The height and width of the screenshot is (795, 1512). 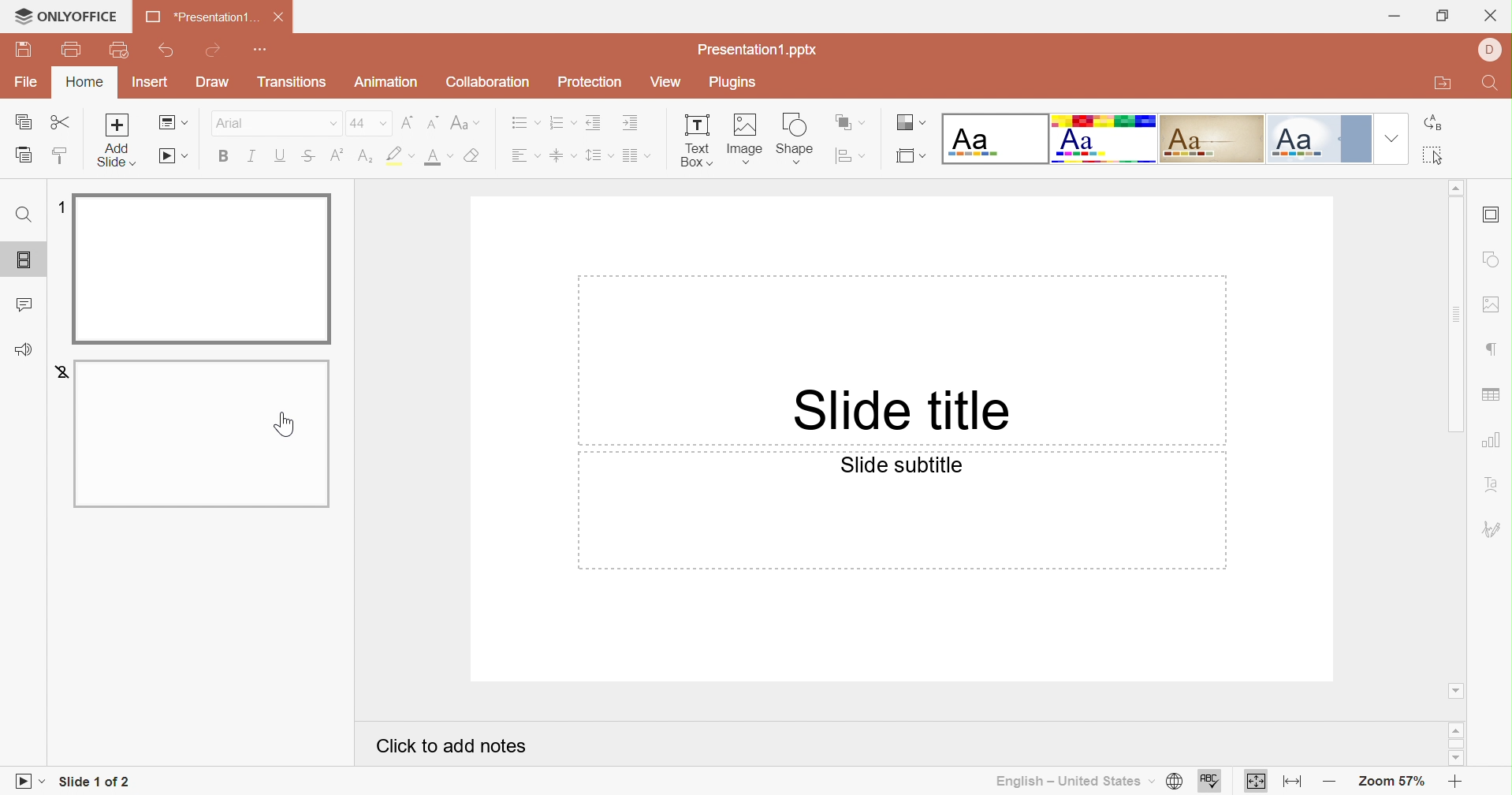 I want to click on Change color theme, so click(x=908, y=122).